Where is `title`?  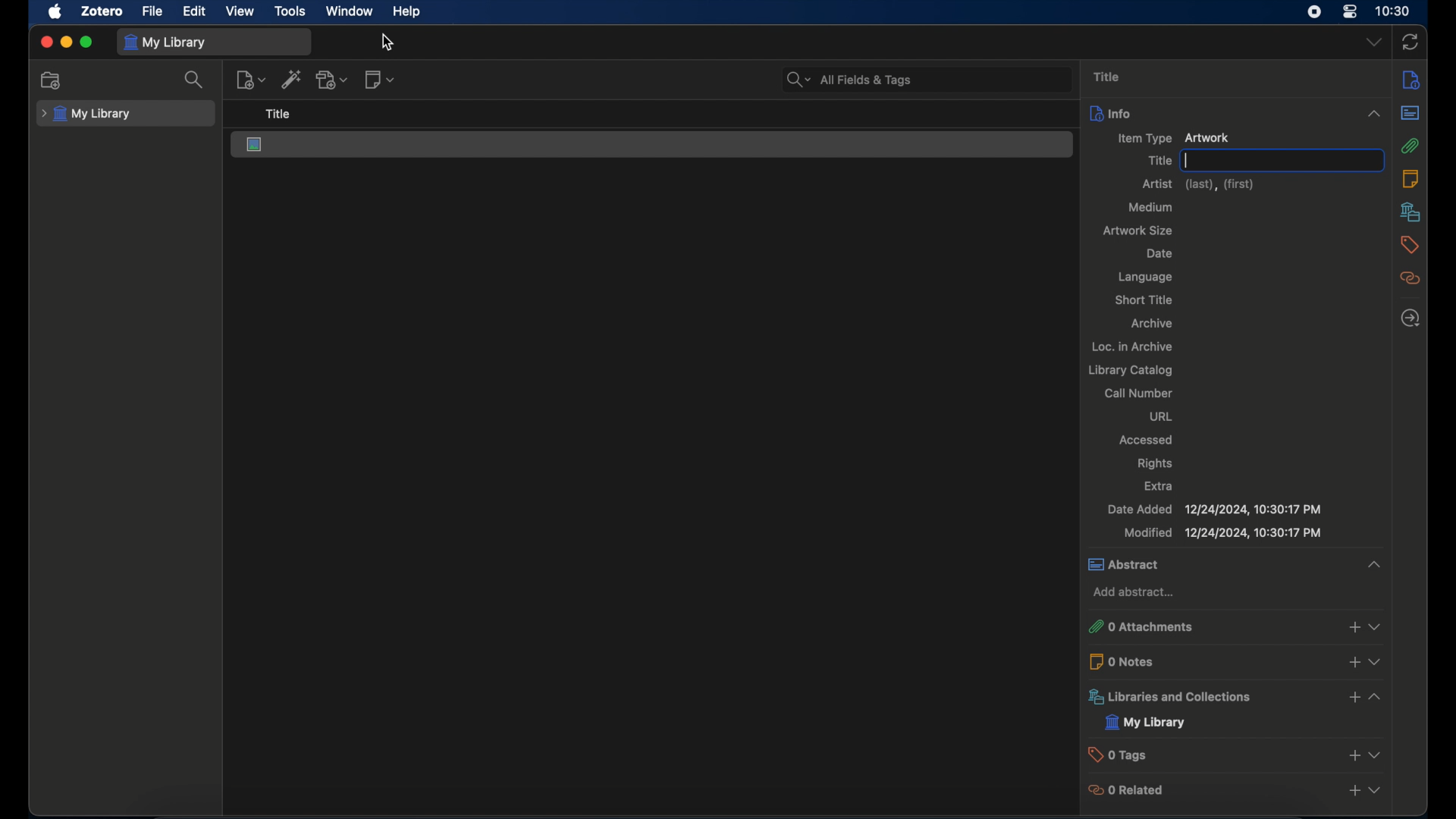 title is located at coordinates (277, 115).